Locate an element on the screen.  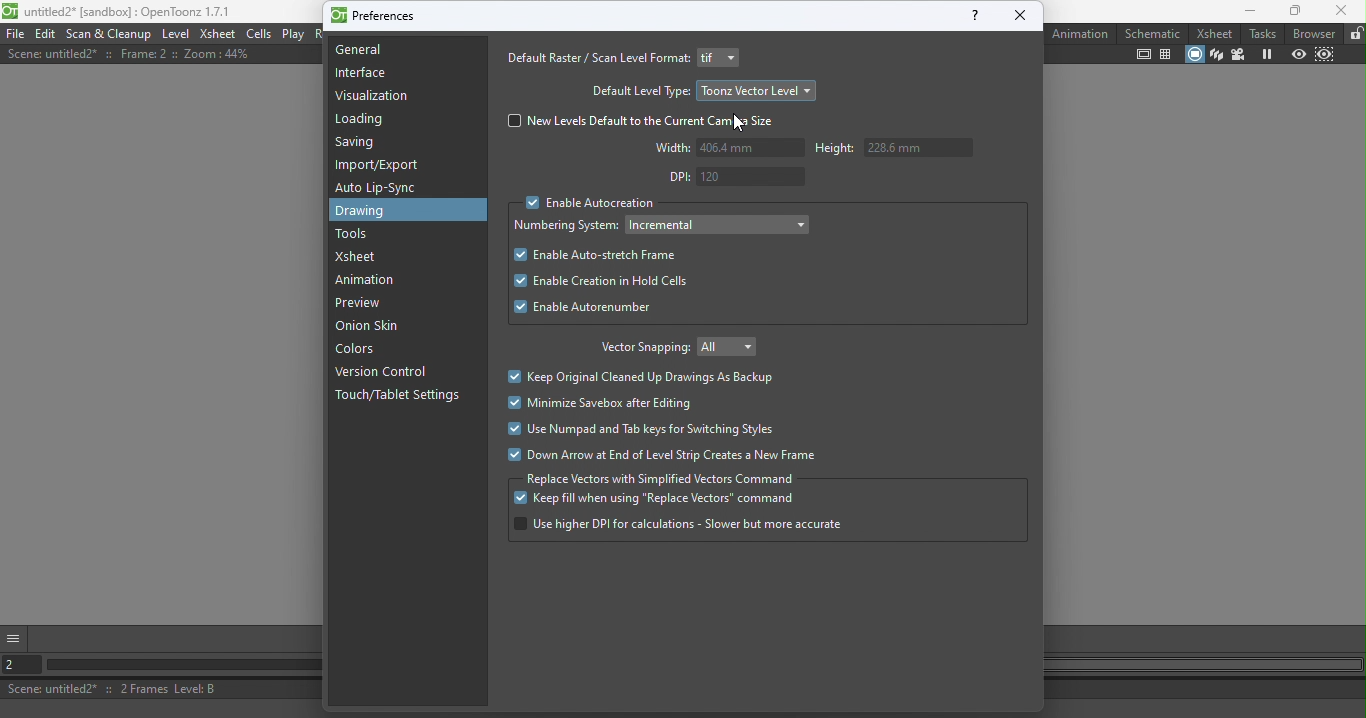
Tasks is located at coordinates (1262, 32).